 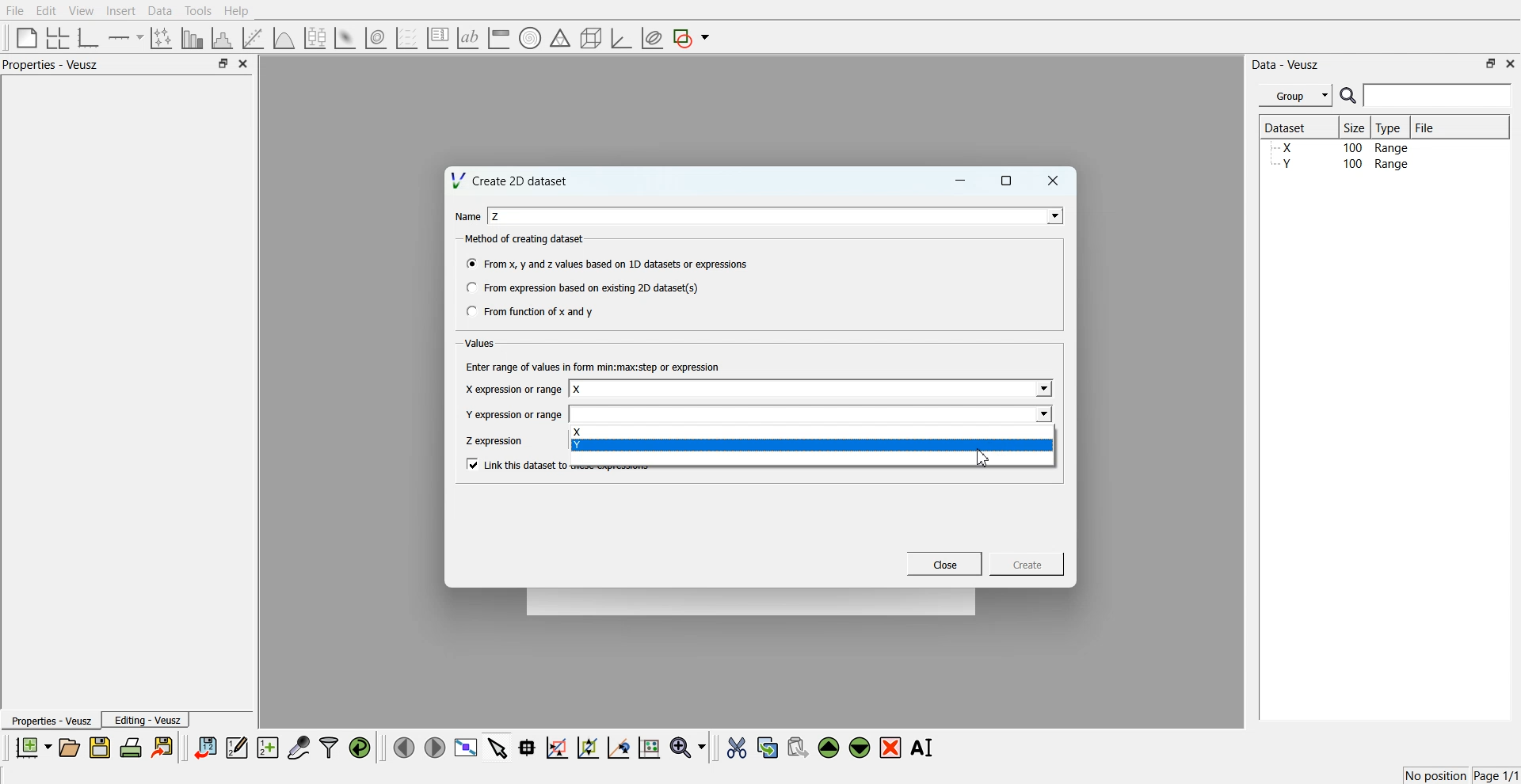 What do you see at coordinates (532, 310) in the screenshot?
I see `From function of x and y` at bounding box center [532, 310].